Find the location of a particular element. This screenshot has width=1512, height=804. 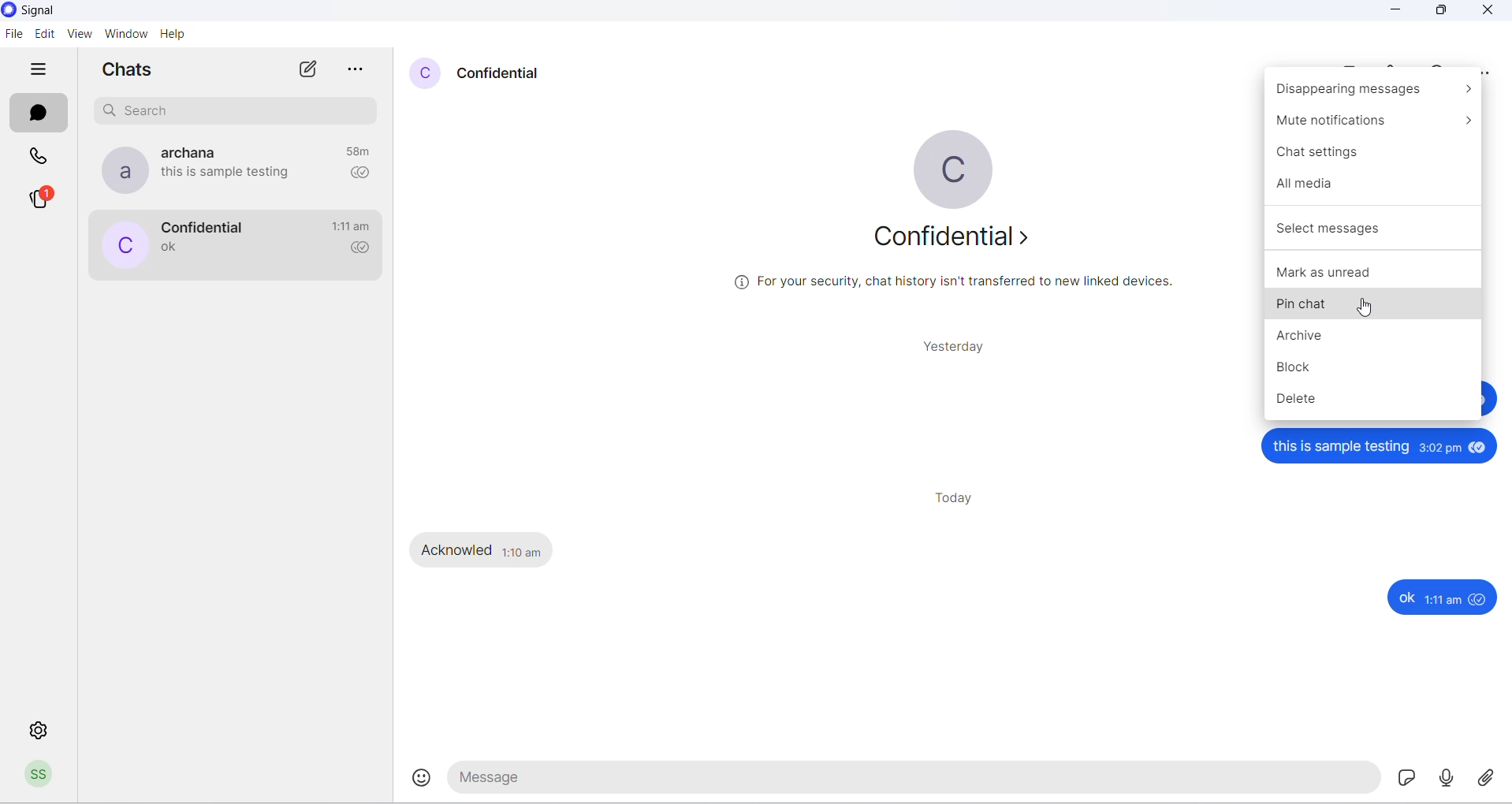

pin chat is located at coordinates (1376, 309).